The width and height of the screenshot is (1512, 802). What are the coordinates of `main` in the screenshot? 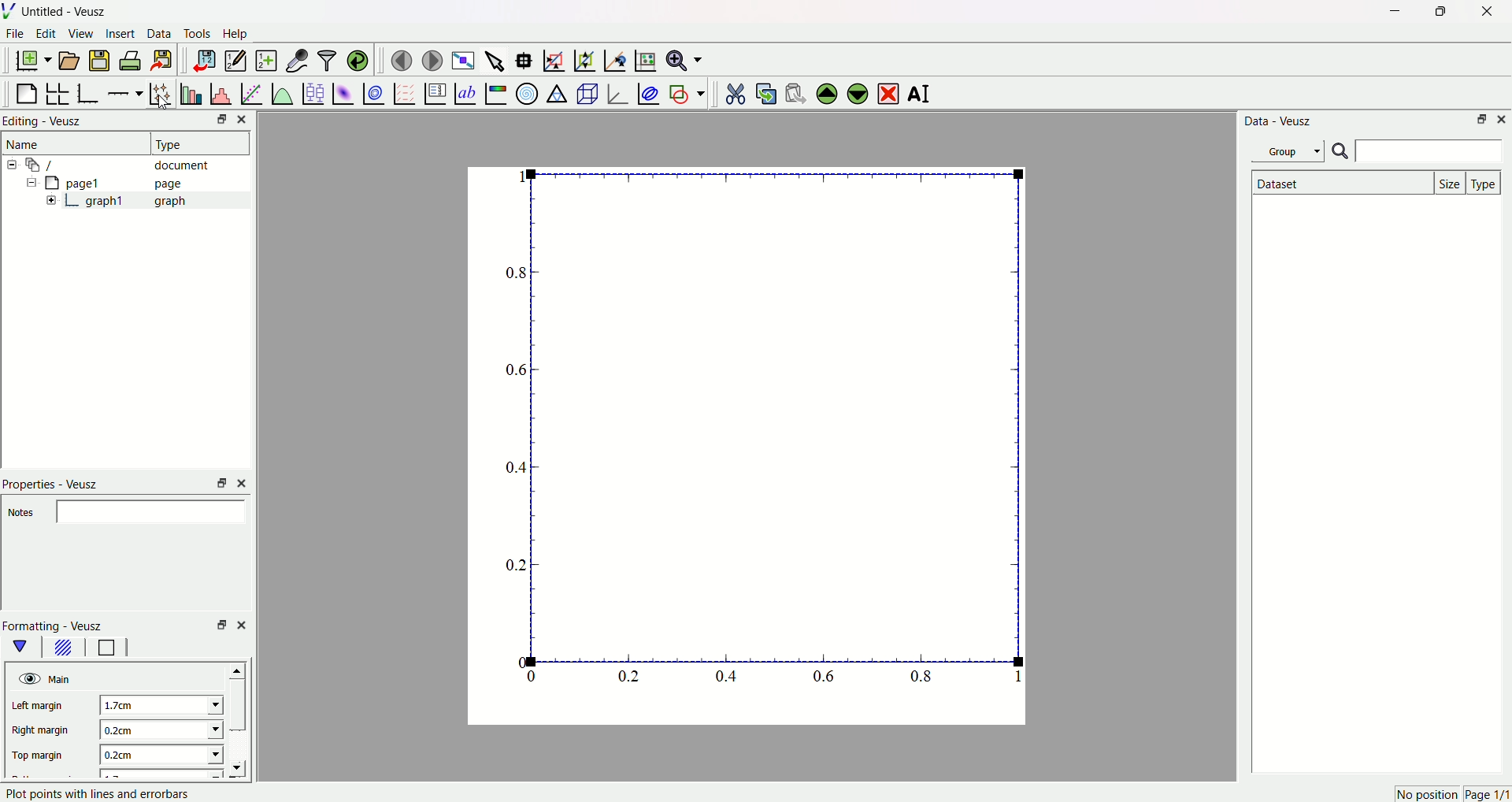 It's located at (24, 647).